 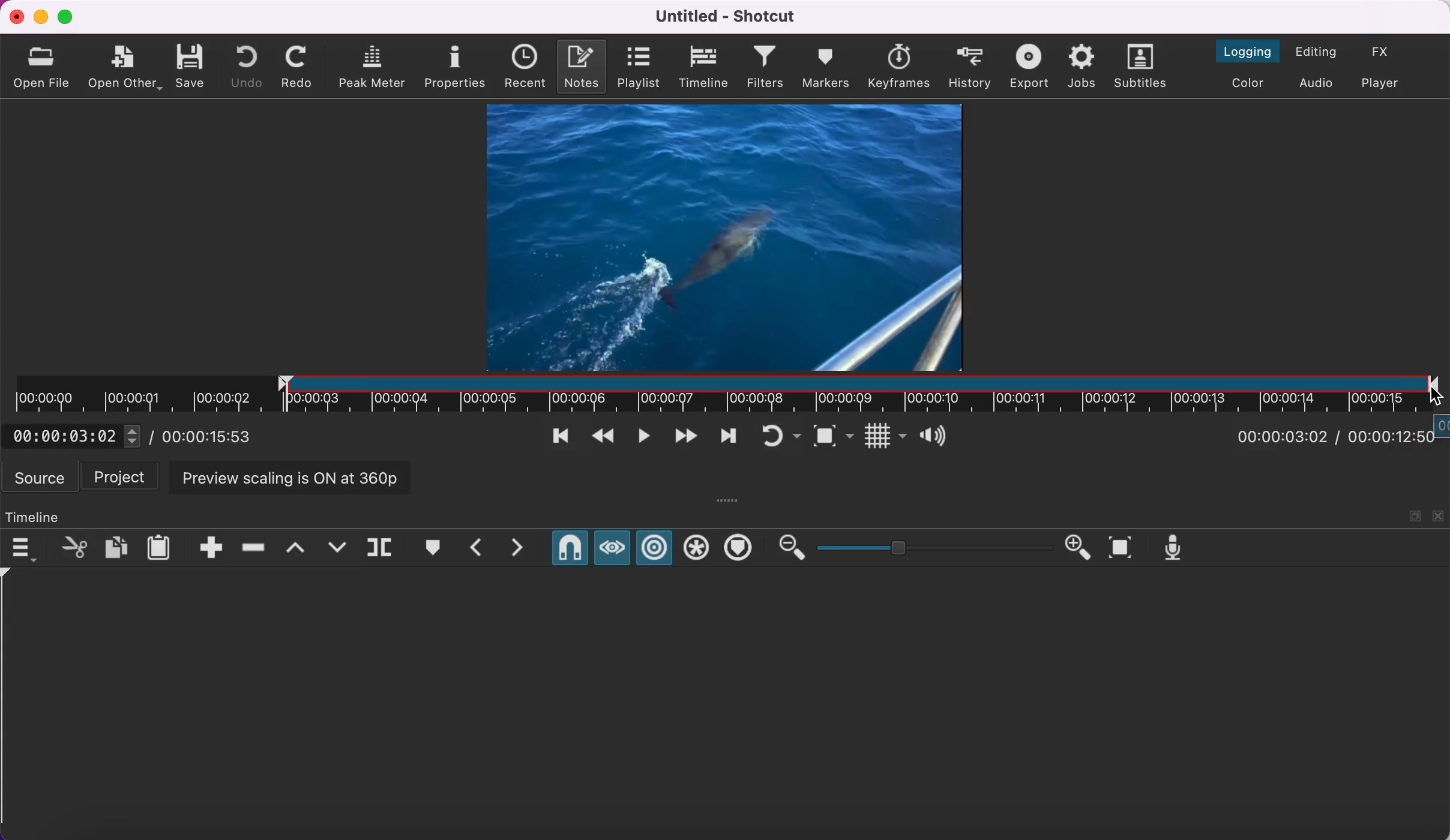 What do you see at coordinates (826, 68) in the screenshot?
I see `markers` at bounding box center [826, 68].